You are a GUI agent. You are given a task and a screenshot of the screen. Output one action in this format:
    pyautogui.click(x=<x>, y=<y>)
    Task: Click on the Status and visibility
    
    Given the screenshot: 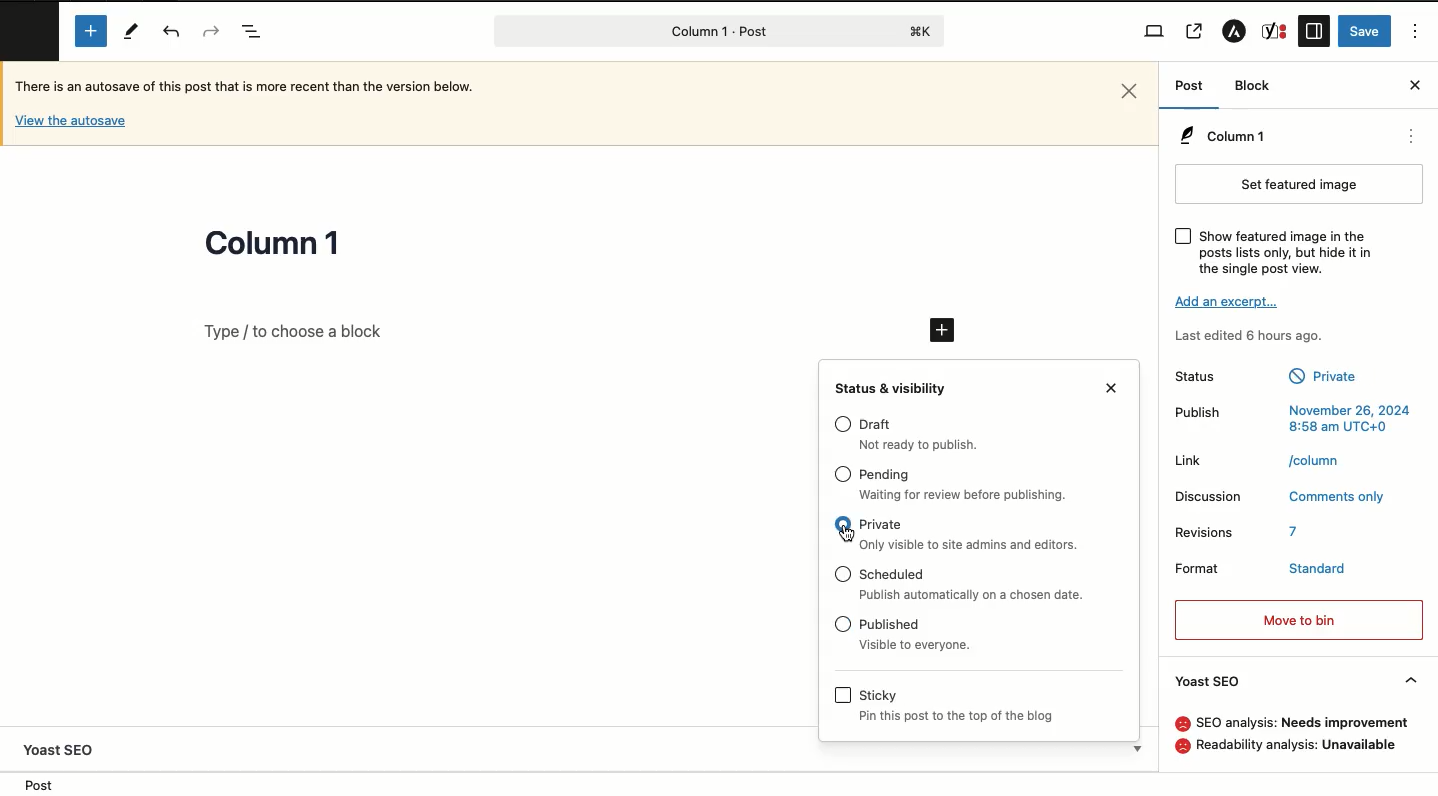 What is the action you would take?
    pyautogui.click(x=893, y=387)
    